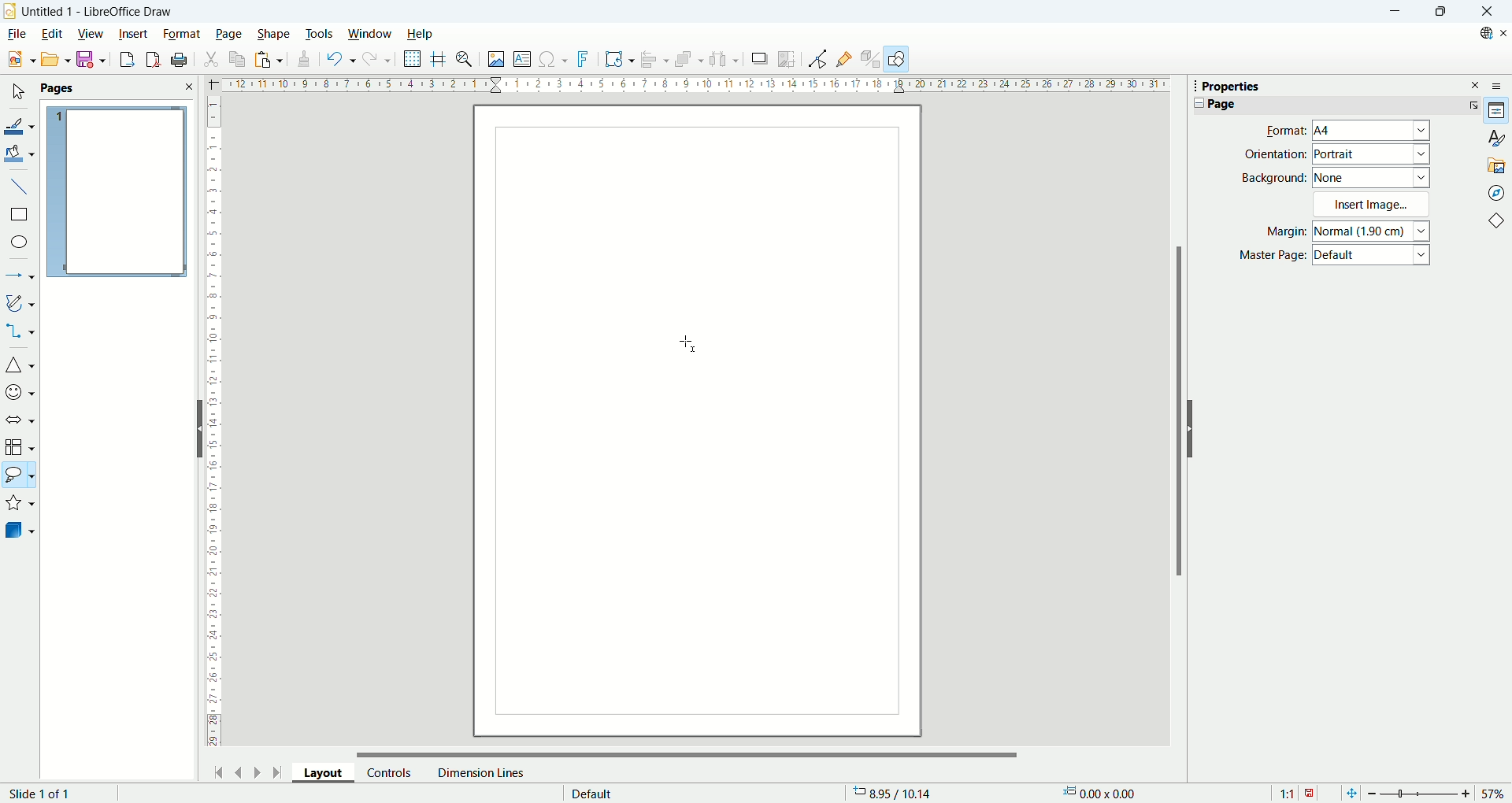 This screenshot has width=1512, height=803. Describe the element at coordinates (480, 772) in the screenshot. I see `dimension lines` at that location.